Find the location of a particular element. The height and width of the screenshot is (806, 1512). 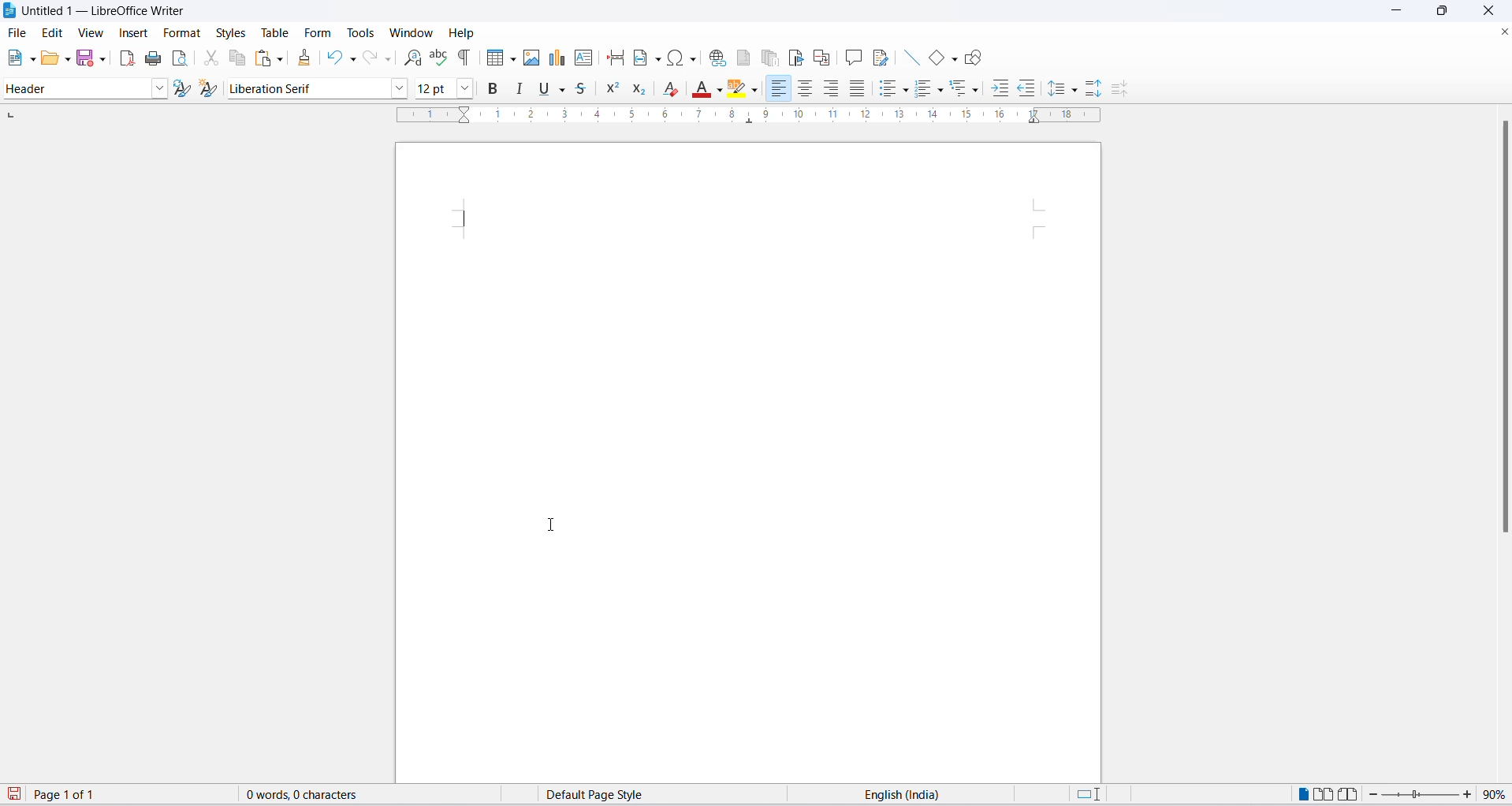

increase paragraph spacing is located at coordinates (1093, 88).